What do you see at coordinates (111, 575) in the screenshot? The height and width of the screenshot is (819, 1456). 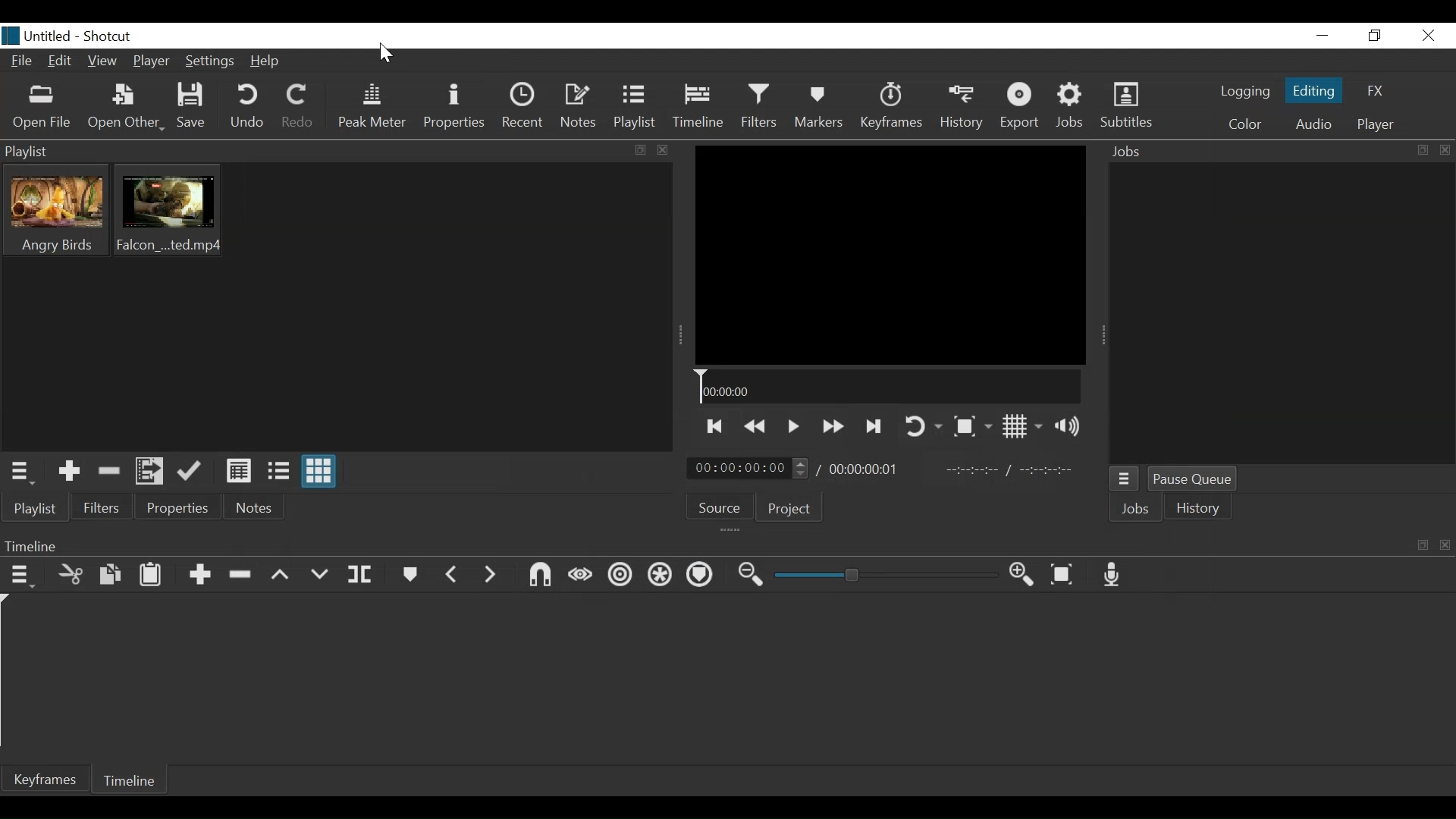 I see `Copy` at bounding box center [111, 575].